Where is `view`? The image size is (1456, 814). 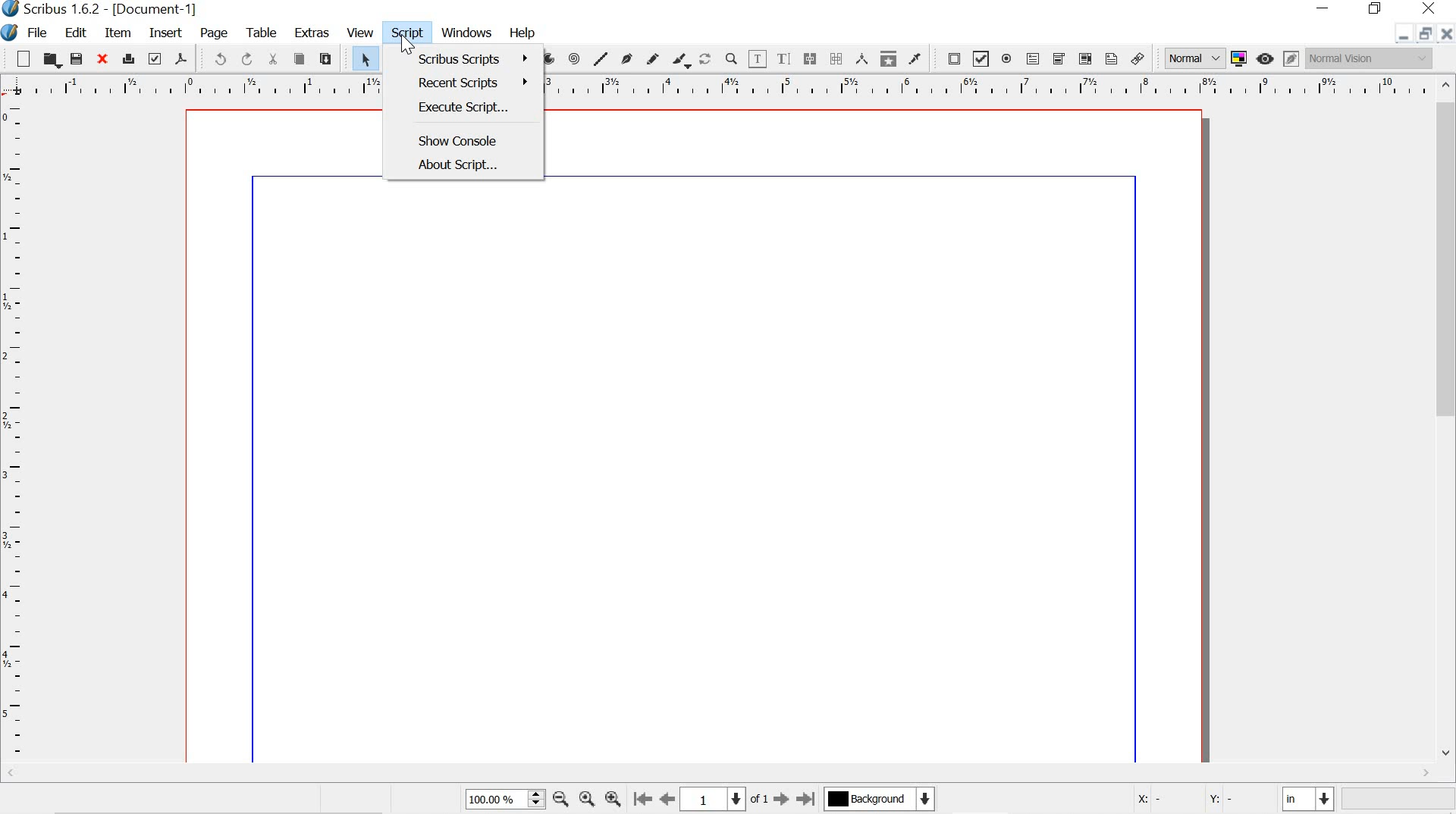
view is located at coordinates (361, 31).